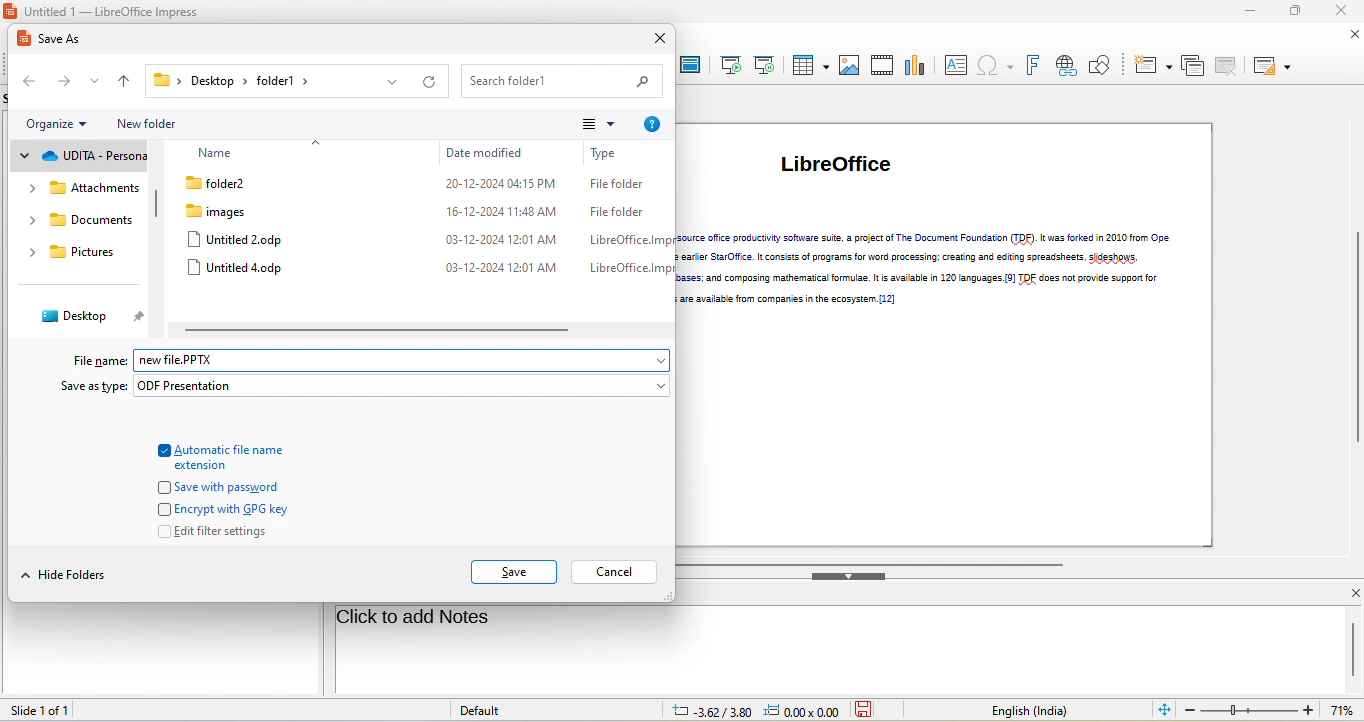  Describe the element at coordinates (623, 268) in the screenshot. I see `LibreOffice.lmp` at that location.